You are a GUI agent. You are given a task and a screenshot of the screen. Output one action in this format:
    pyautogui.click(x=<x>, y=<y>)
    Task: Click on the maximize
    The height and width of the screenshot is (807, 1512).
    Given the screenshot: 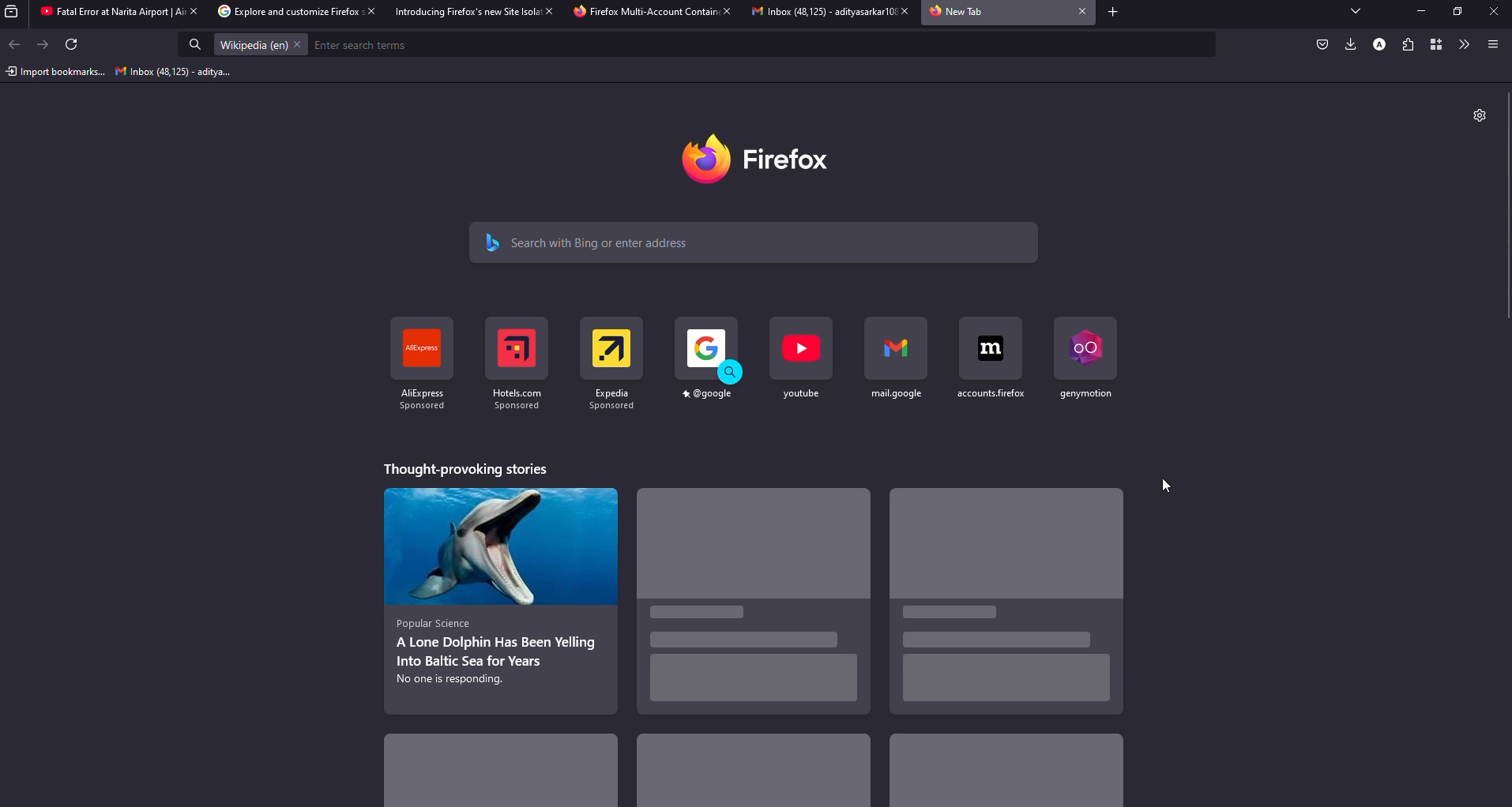 What is the action you would take?
    pyautogui.click(x=1458, y=12)
    